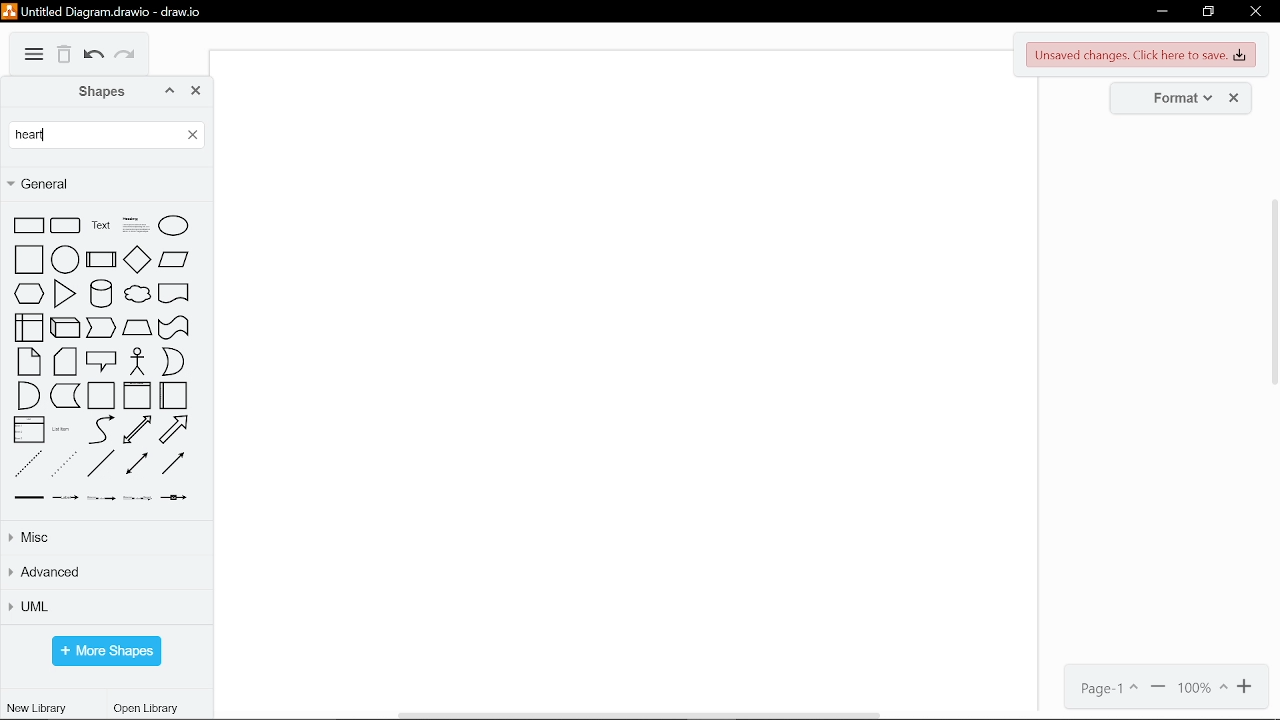  I want to click on diagram, so click(34, 55).